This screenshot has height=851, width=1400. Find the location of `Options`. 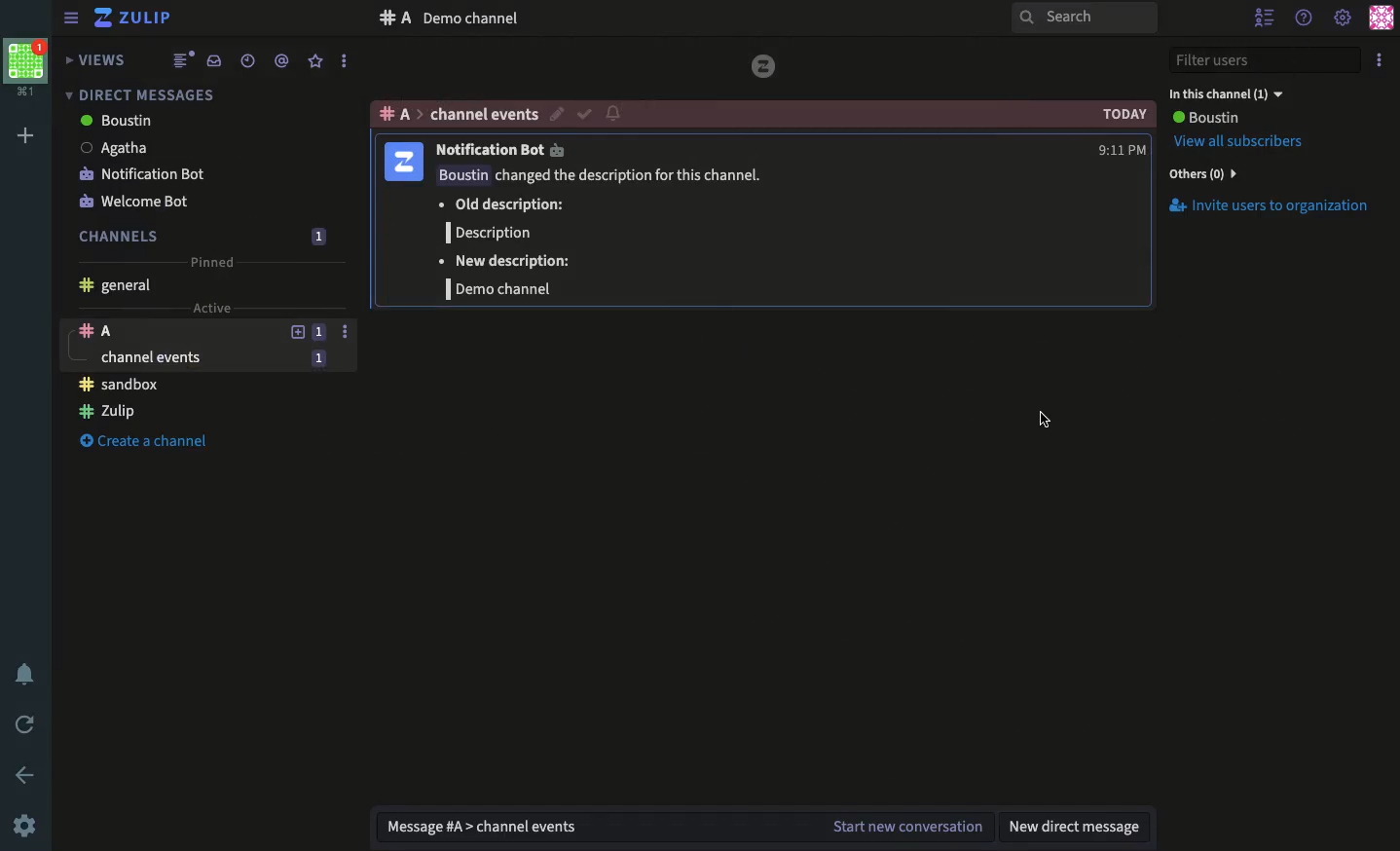

Options is located at coordinates (1381, 60).